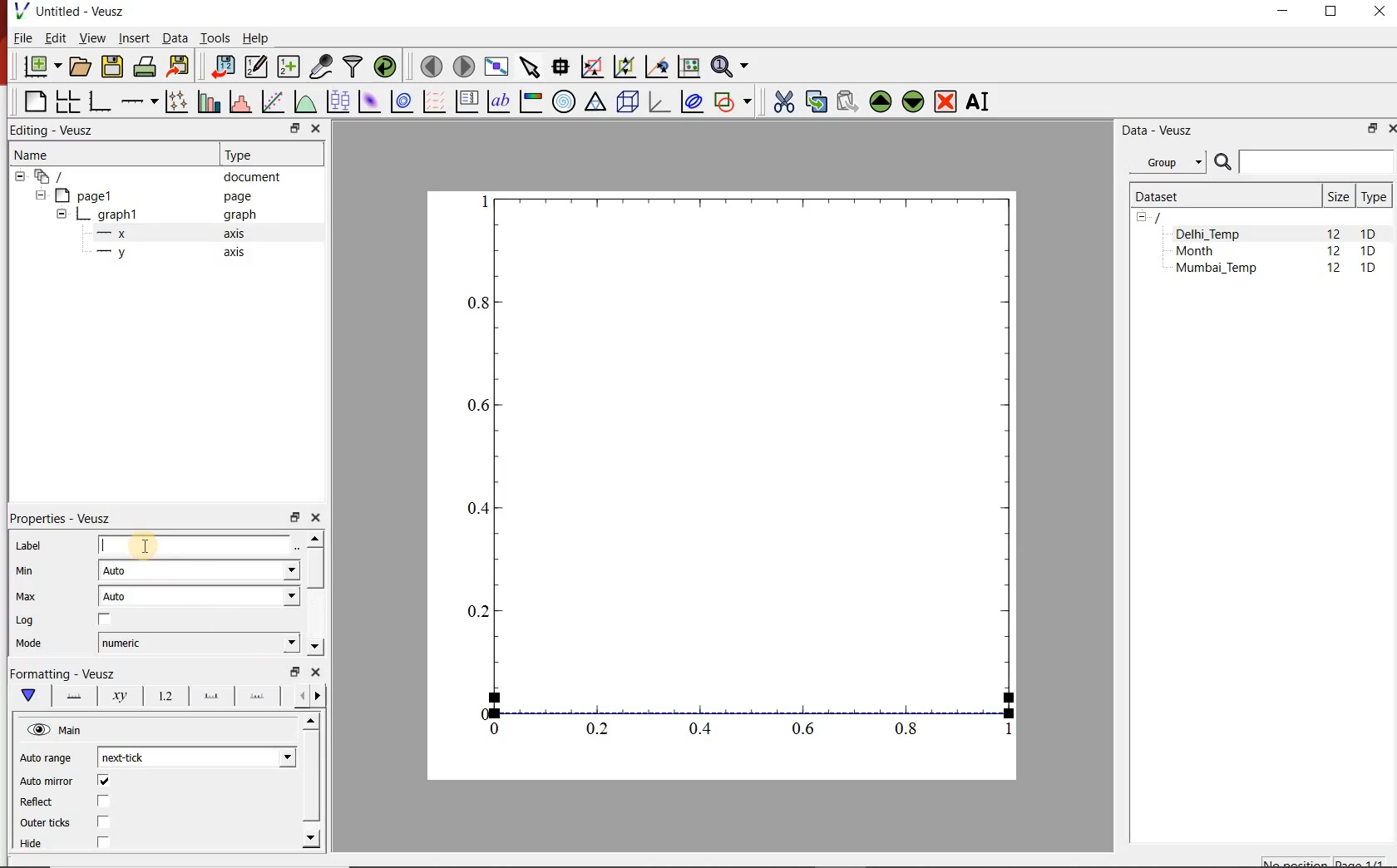 The height and width of the screenshot is (868, 1397). What do you see at coordinates (1338, 196) in the screenshot?
I see `Size` at bounding box center [1338, 196].